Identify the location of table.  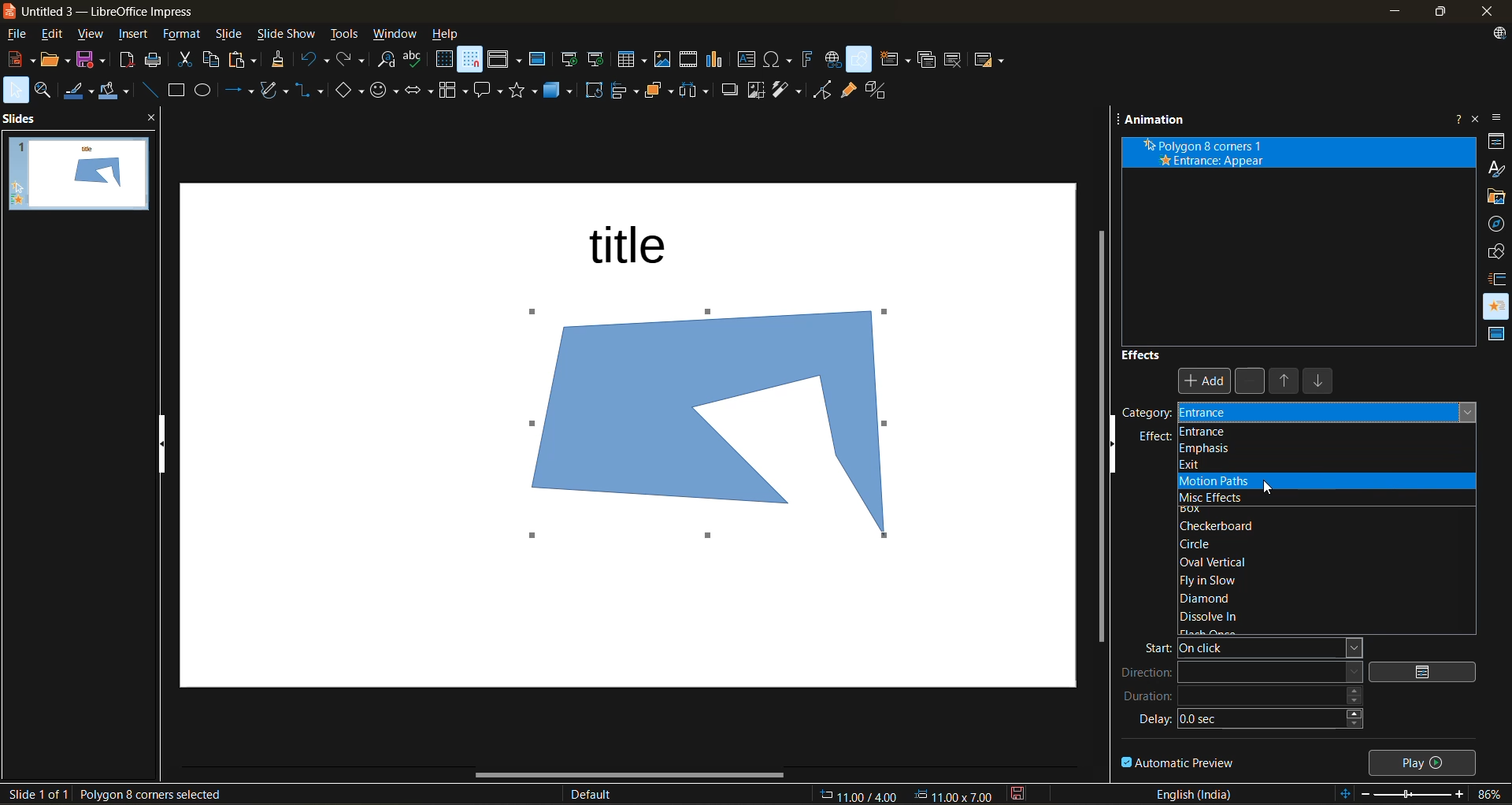
(632, 61).